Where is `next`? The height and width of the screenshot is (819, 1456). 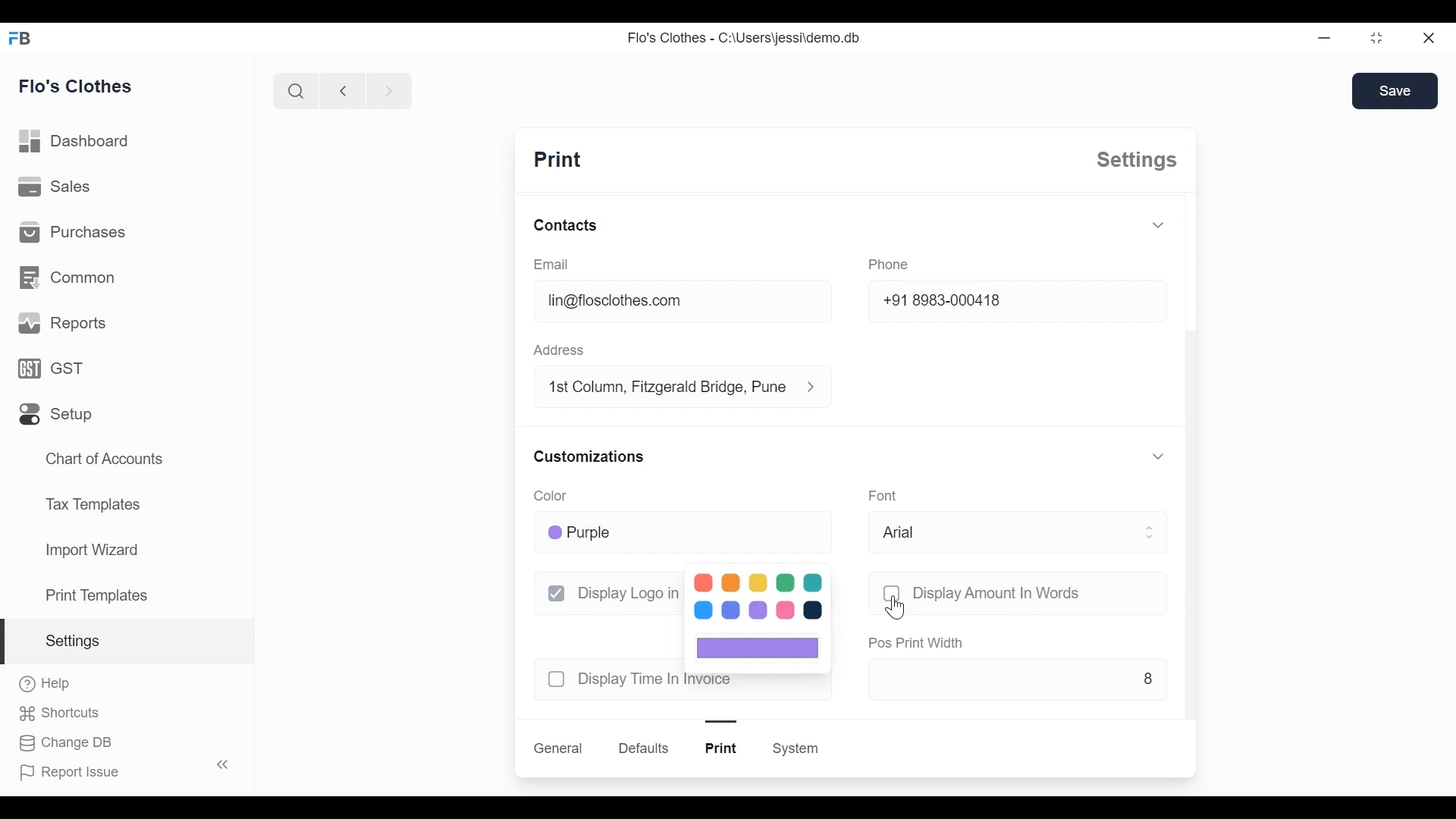
next is located at coordinates (390, 90).